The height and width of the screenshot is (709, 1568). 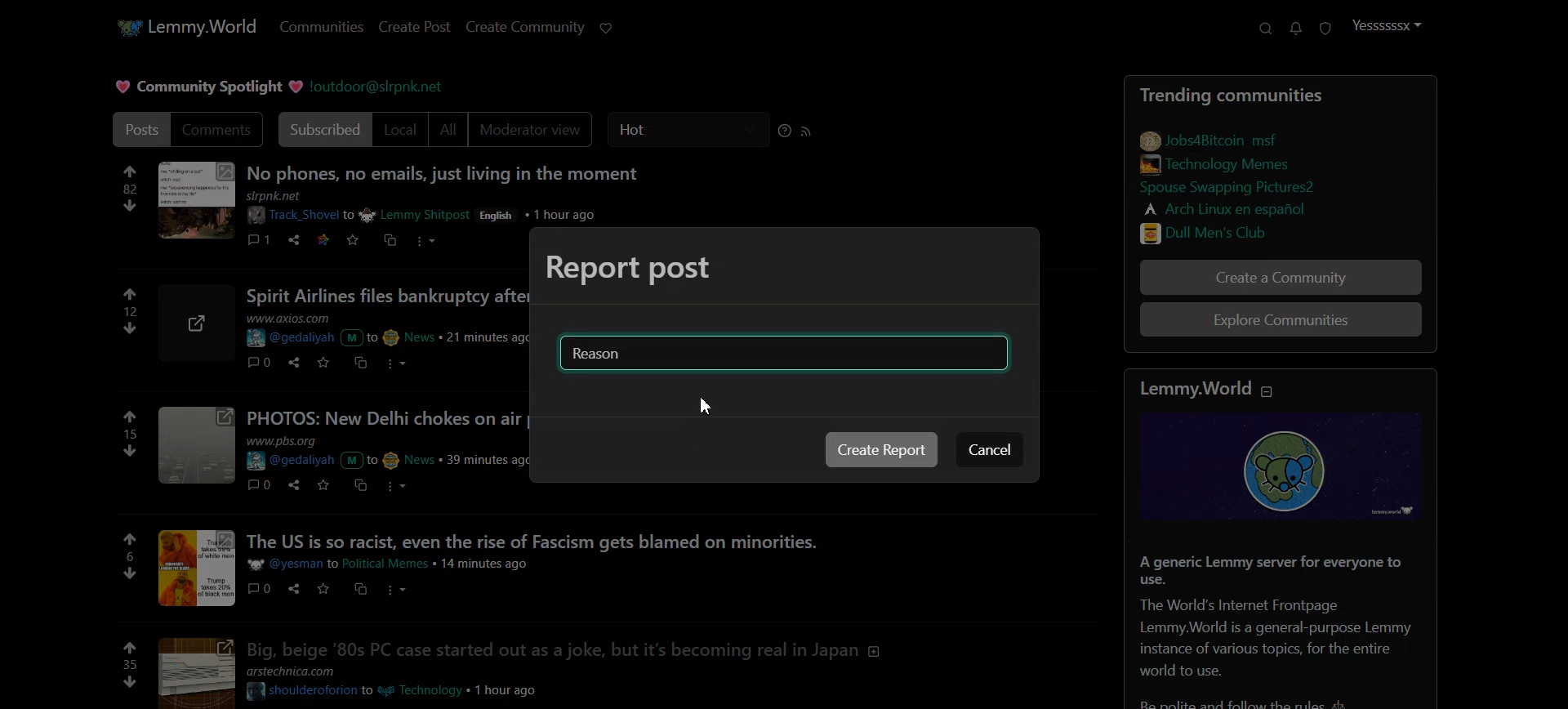 What do you see at coordinates (607, 28) in the screenshot?
I see `Support Limmy` at bounding box center [607, 28].